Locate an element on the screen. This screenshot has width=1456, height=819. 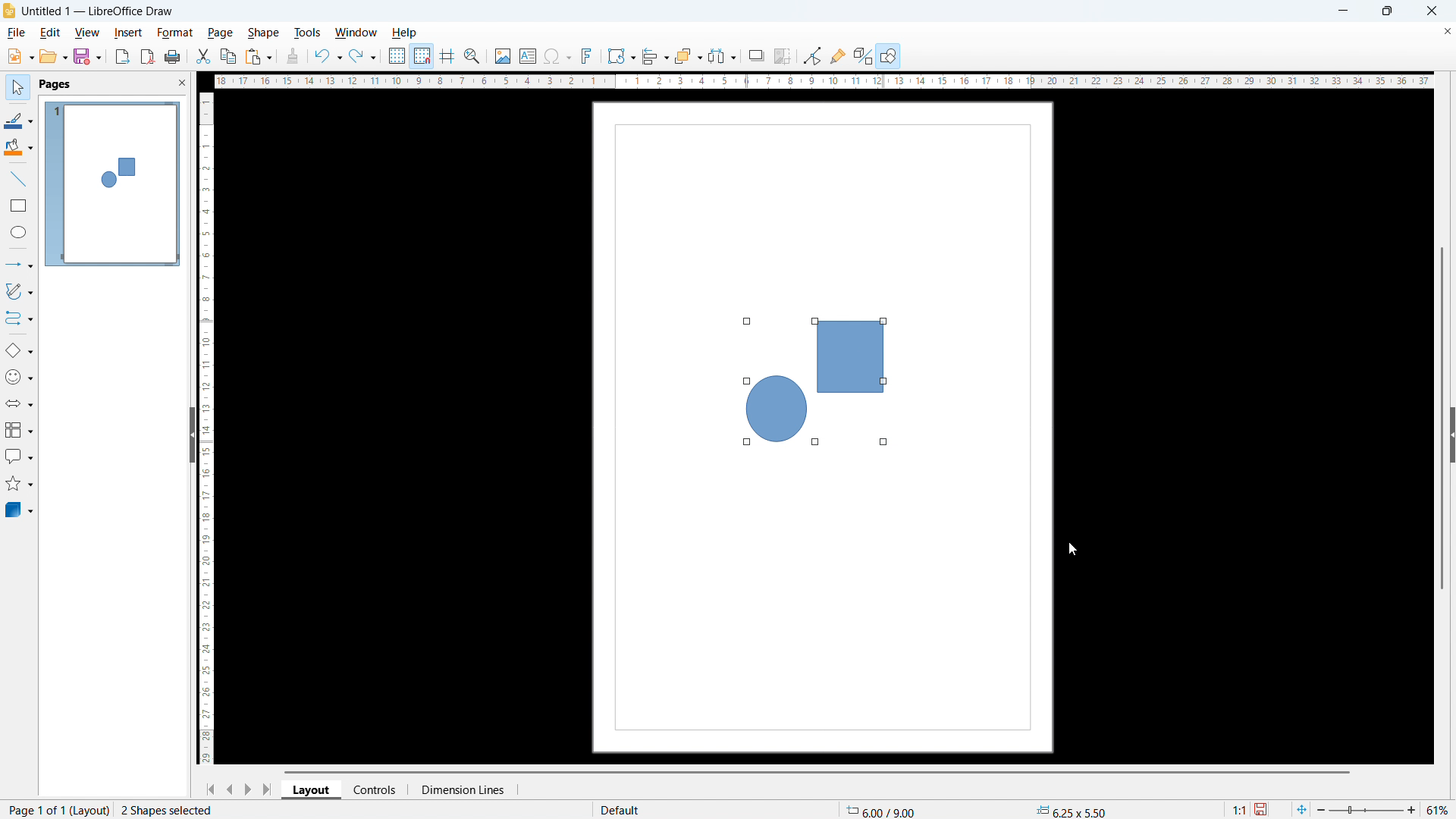
insert image is located at coordinates (503, 57).